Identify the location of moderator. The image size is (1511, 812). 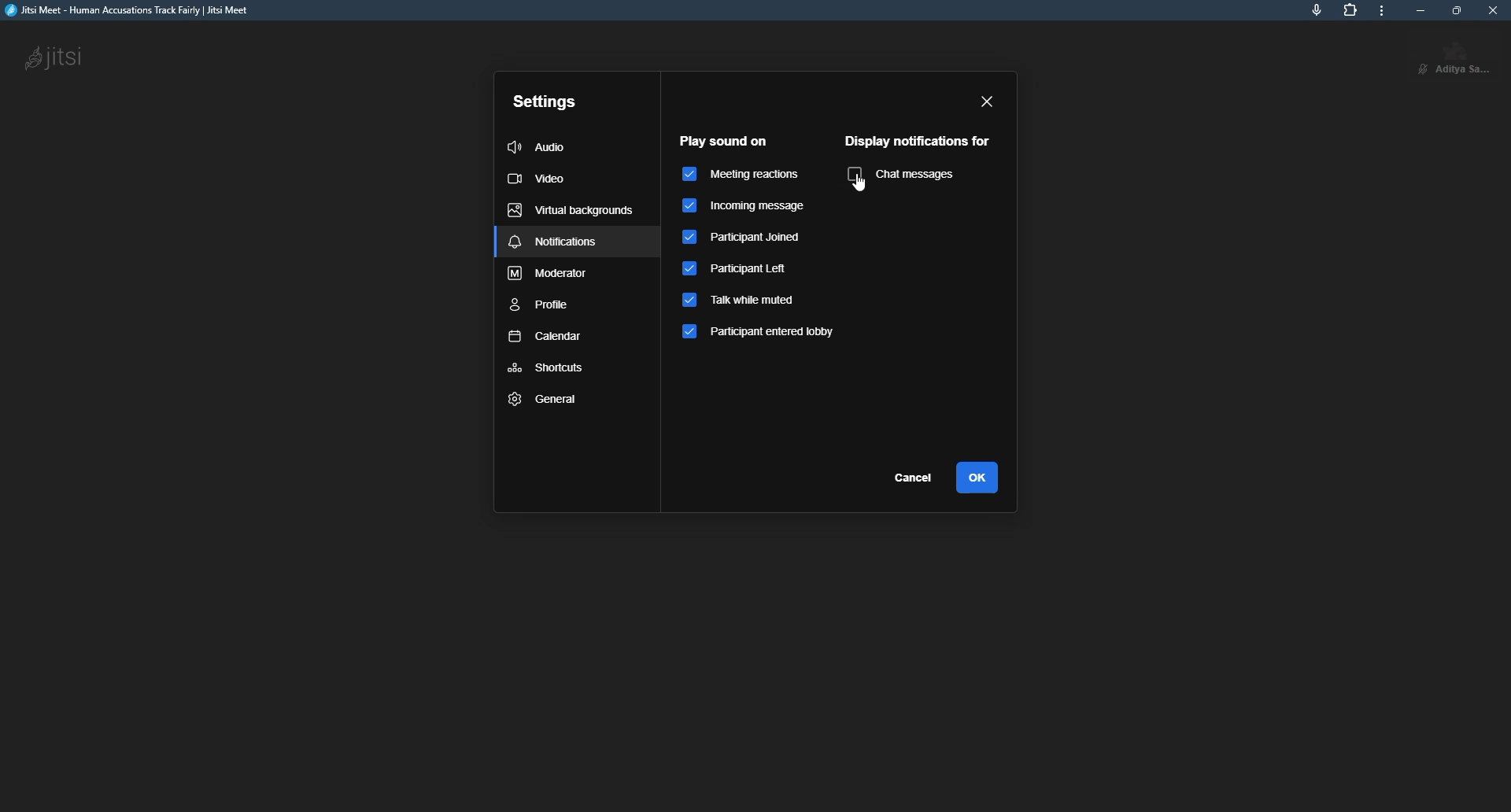
(549, 275).